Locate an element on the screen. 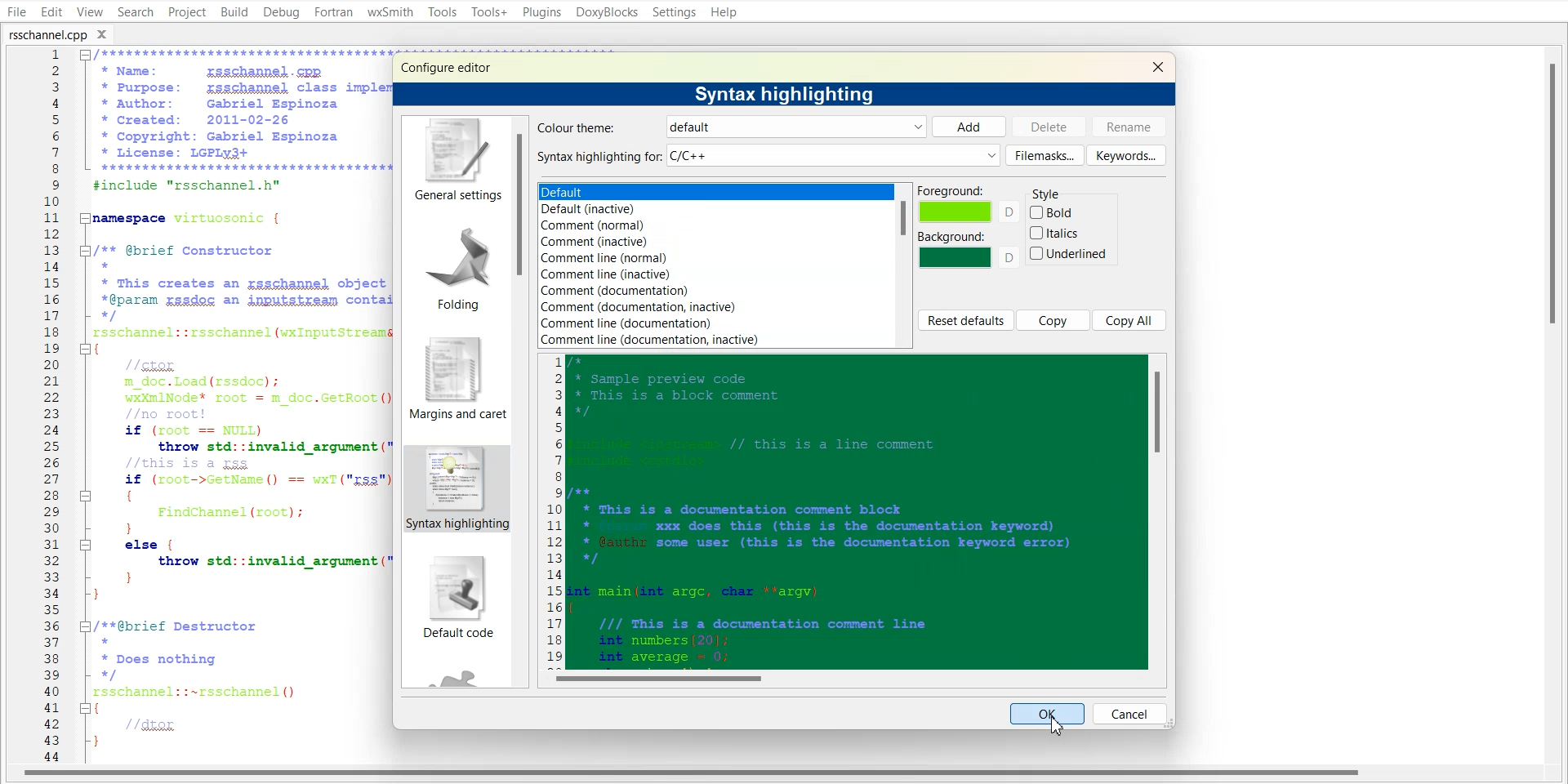 Image resolution: width=1568 pixels, height=784 pixels. sample preview code
This is a block comment
/
clude <iostream> // this is a line comment
clude <cstdio>
.
* This is a documentation comment block
* @param xxx does this (this is the documentation keyword)
* @authr some user (this is the documentation keyword error)
/
main(int argc, char **argv)
/// This is a documentation comment line
int numbers[20];
int average = 0: is located at coordinates (857, 512).